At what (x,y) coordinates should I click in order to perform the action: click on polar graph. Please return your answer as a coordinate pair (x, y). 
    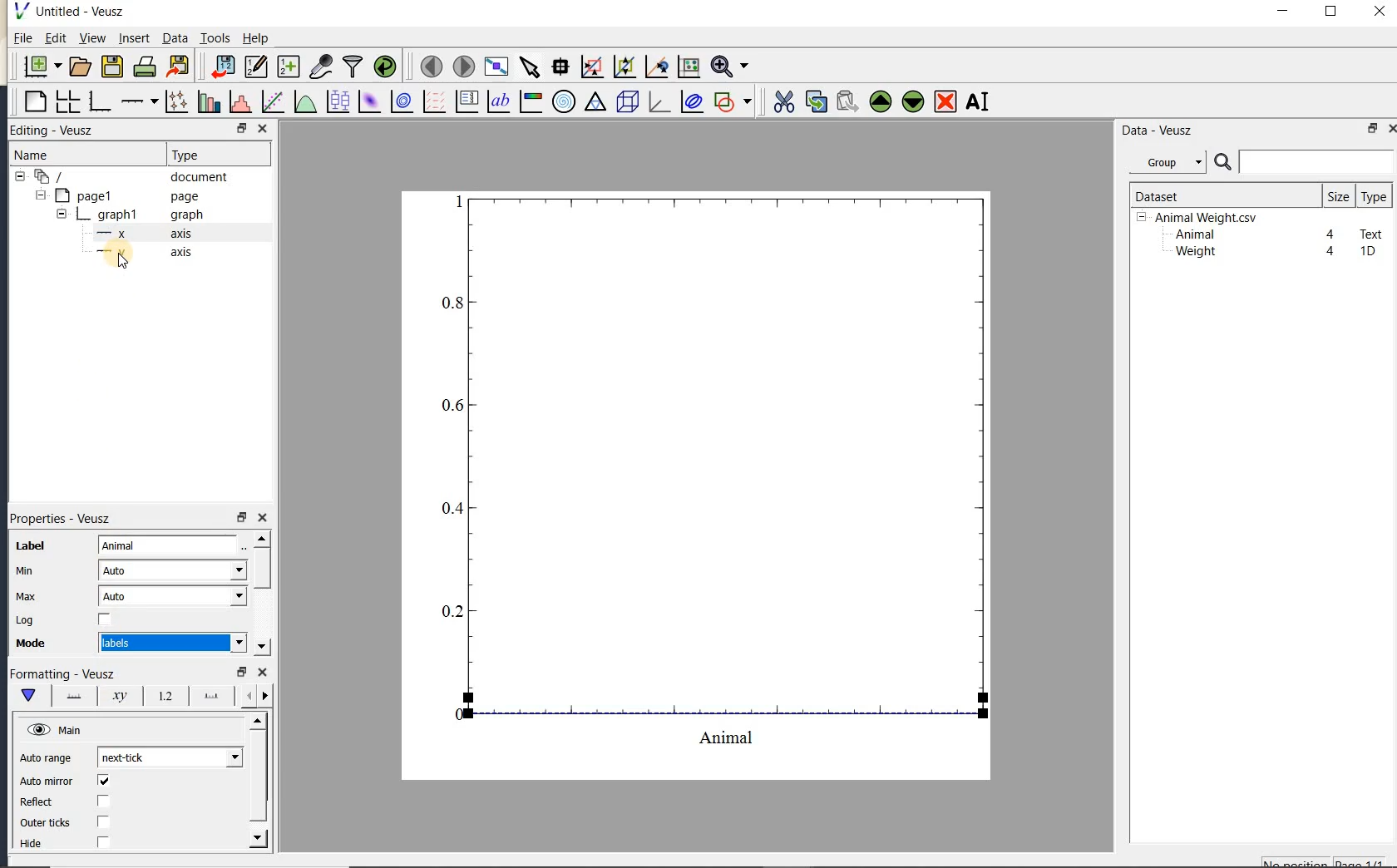
    Looking at the image, I should click on (563, 101).